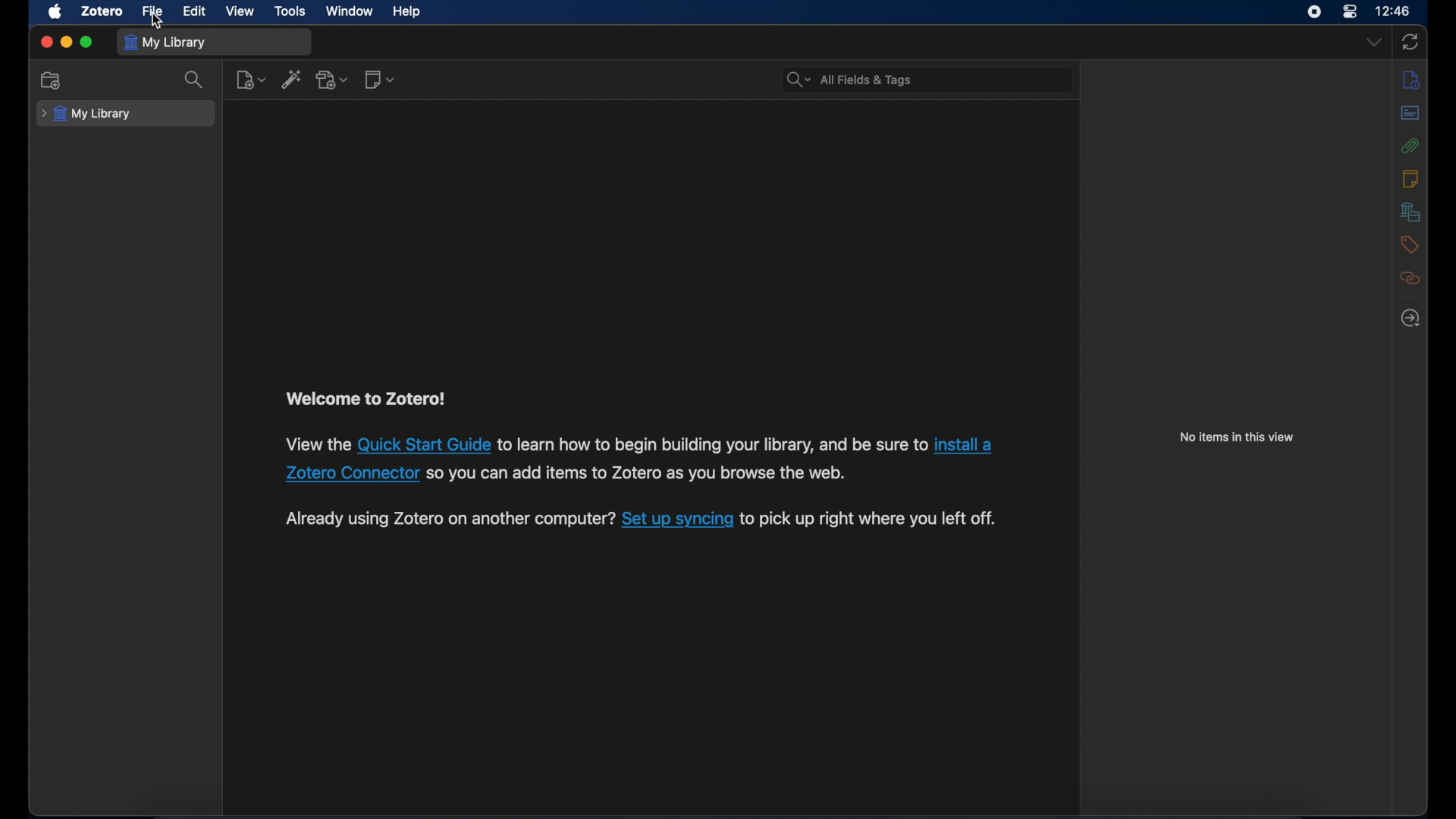  What do you see at coordinates (196, 11) in the screenshot?
I see `edit` at bounding box center [196, 11].